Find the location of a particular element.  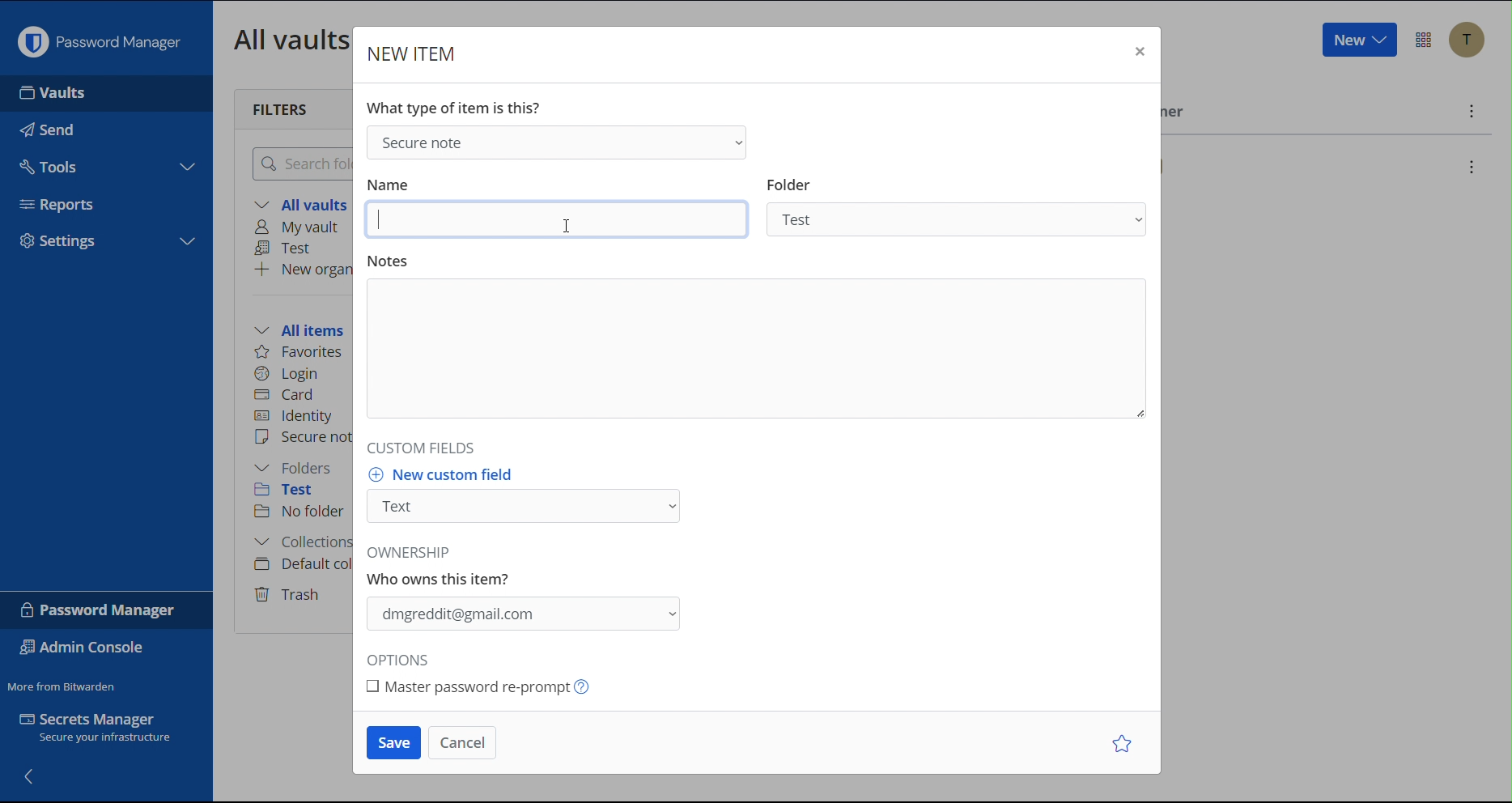

Filters is located at coordinates (282, 108).